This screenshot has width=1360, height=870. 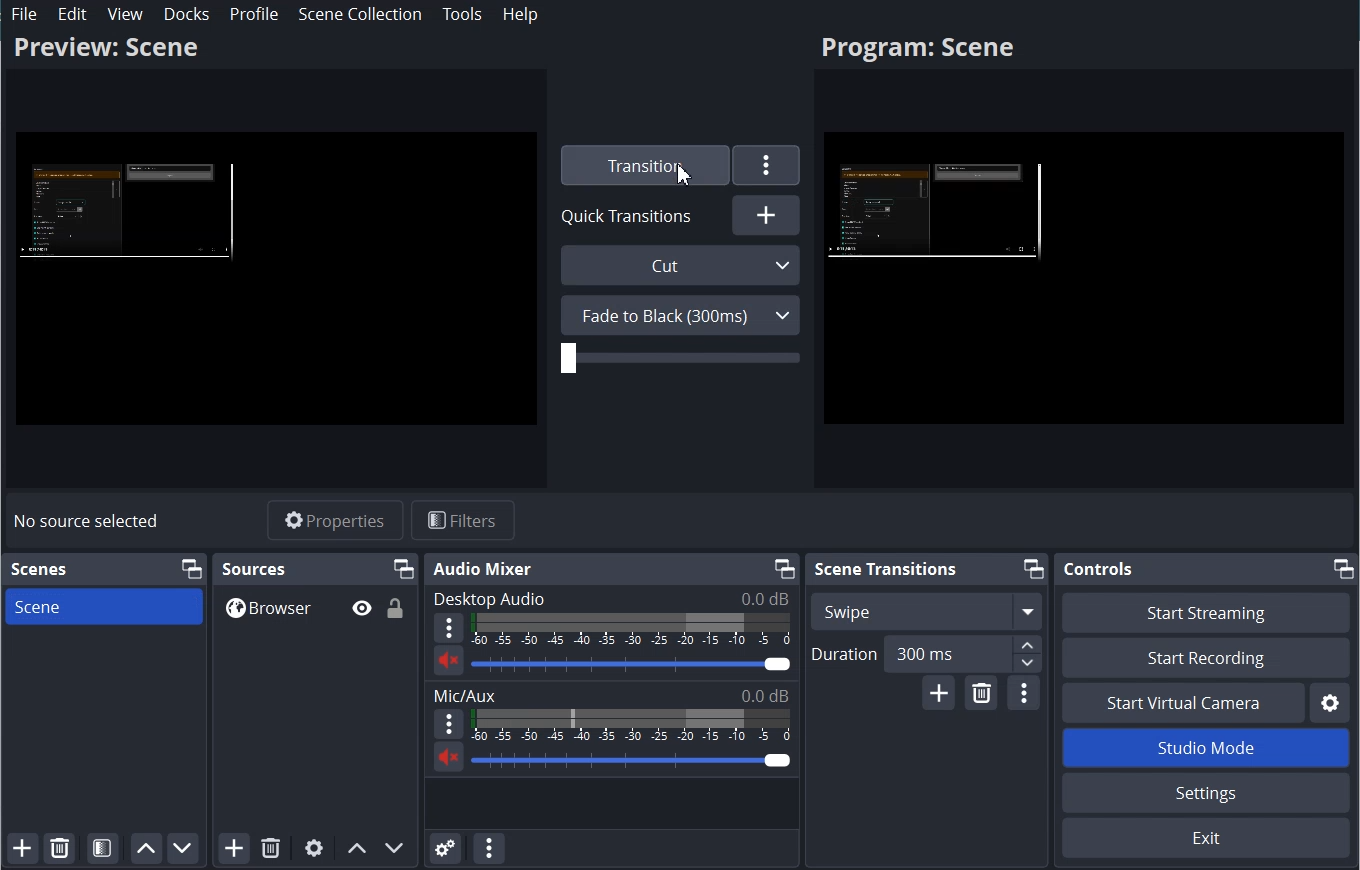 What do you see at coordinates (1205, 657) in the screenshot?
I see `Start Recording` at bounding box center [1205, 657].